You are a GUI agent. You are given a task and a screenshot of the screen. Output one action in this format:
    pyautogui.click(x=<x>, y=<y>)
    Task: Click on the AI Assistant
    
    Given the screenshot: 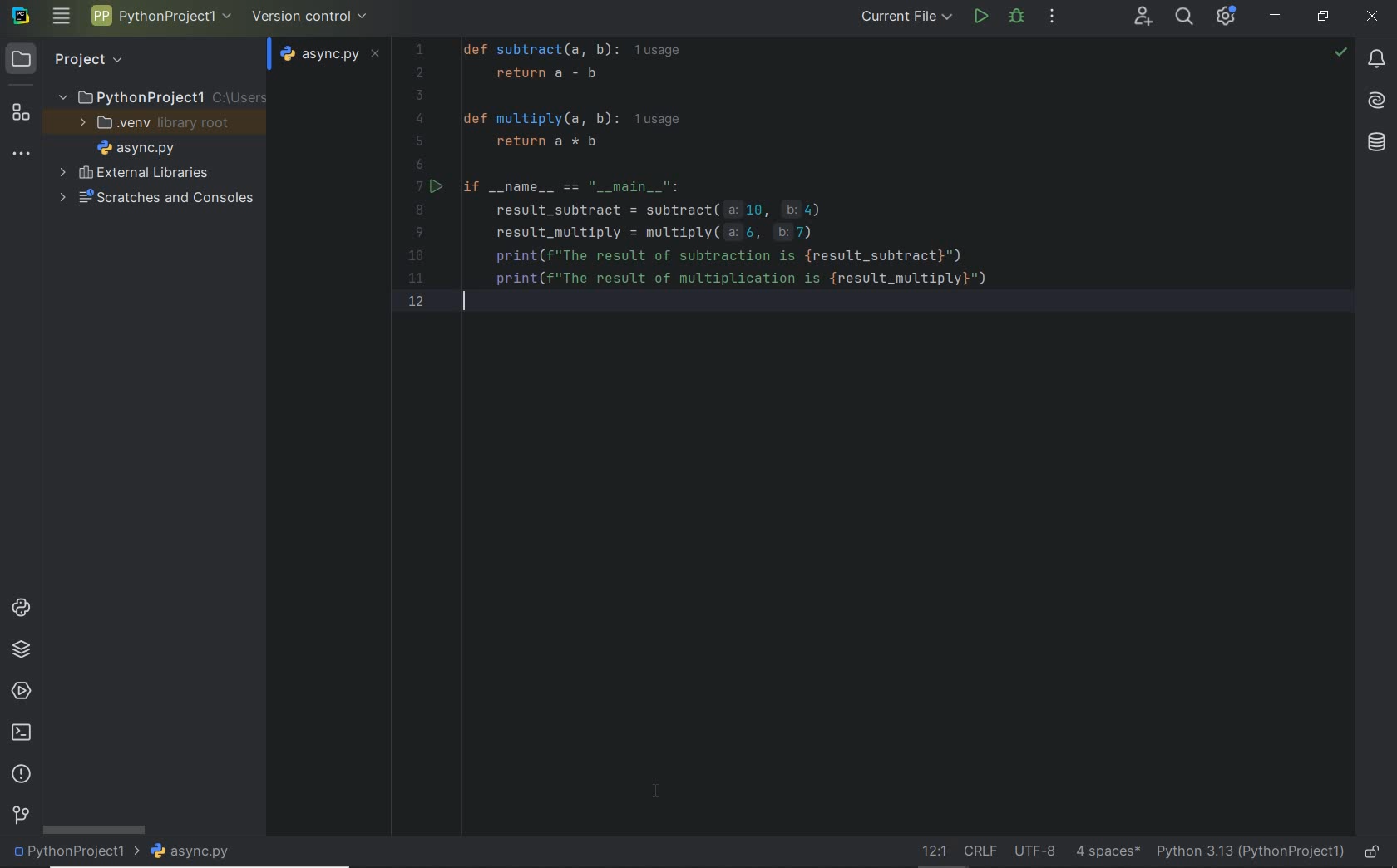 What is the action you would take?
    pyautogui.click(x=1372, y=101)
    